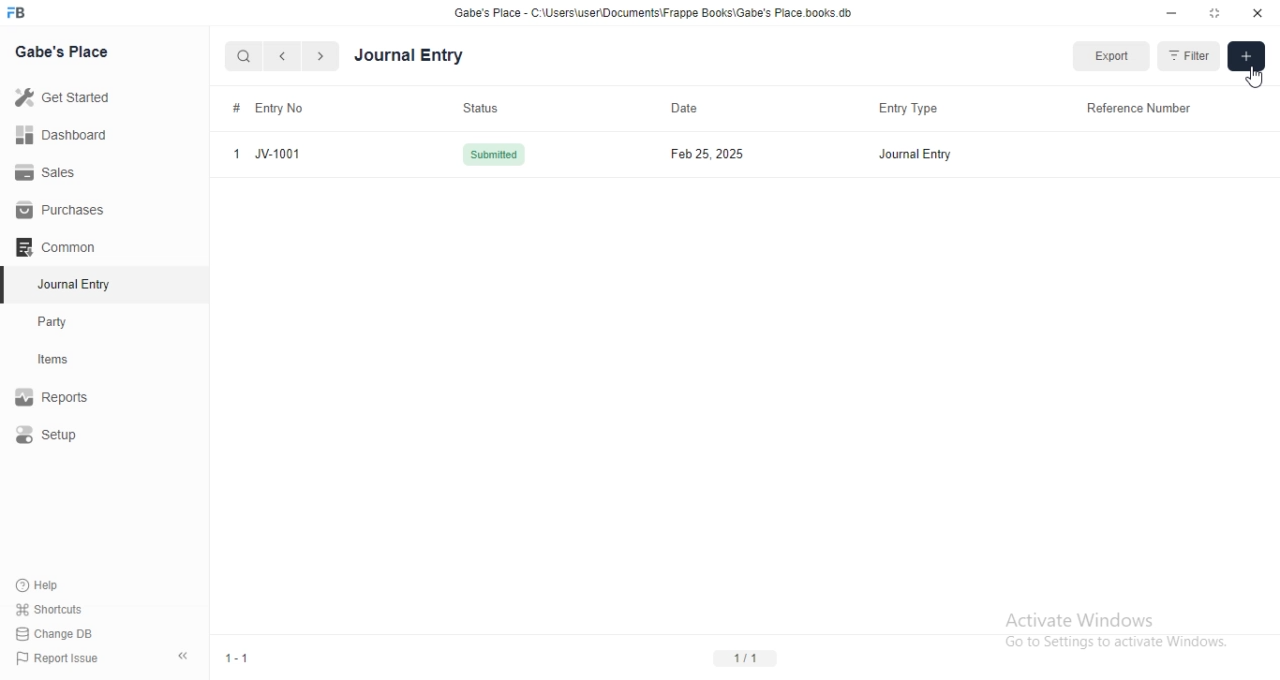 The width and height of the screenshot is (1280, 680). I want to click on 1, so click(236, 154).